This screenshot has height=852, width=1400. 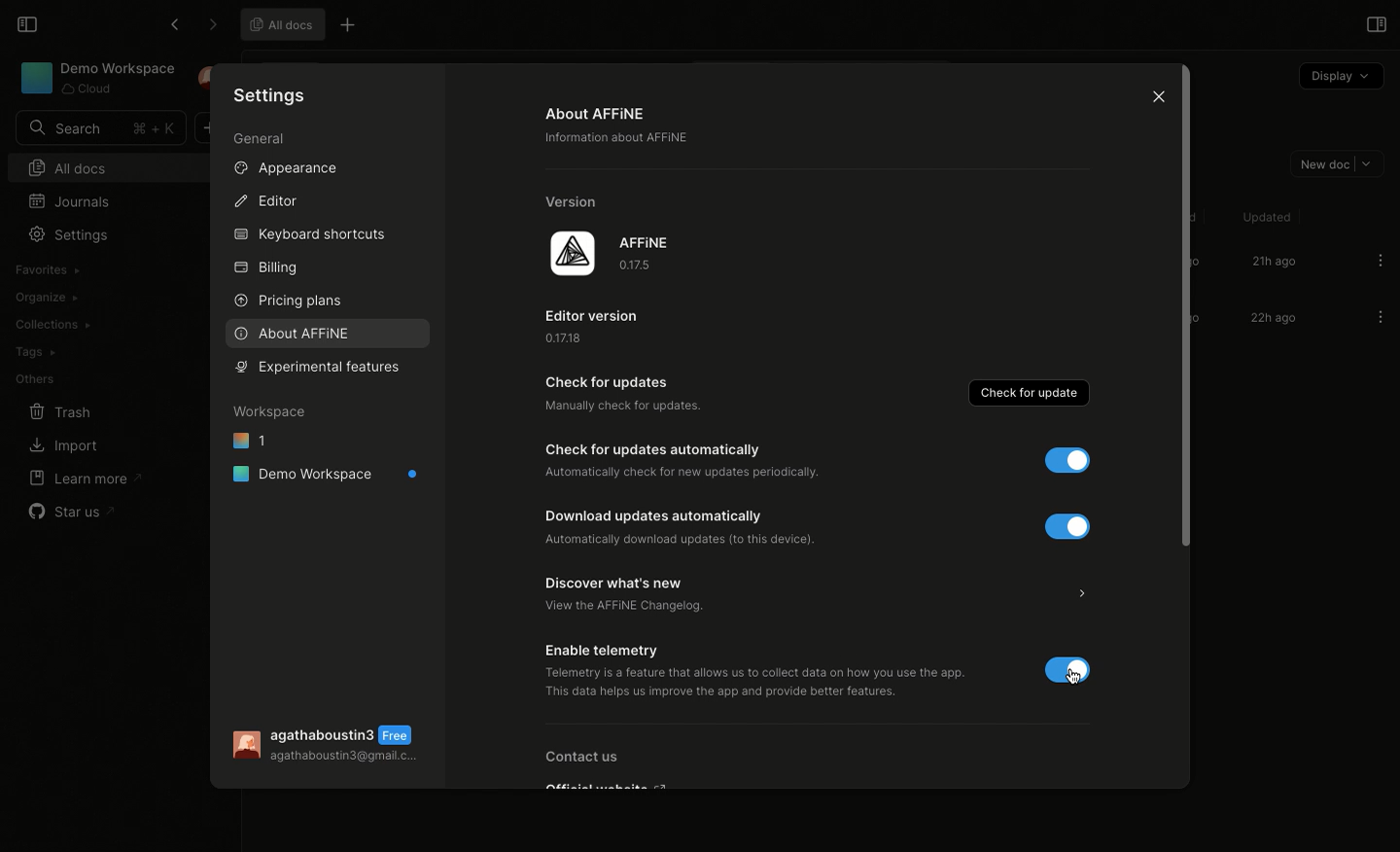 What do you see at coordinates (91, 268) in the screenshot?
I see `Import workspace` at bounding box center [91, 268].